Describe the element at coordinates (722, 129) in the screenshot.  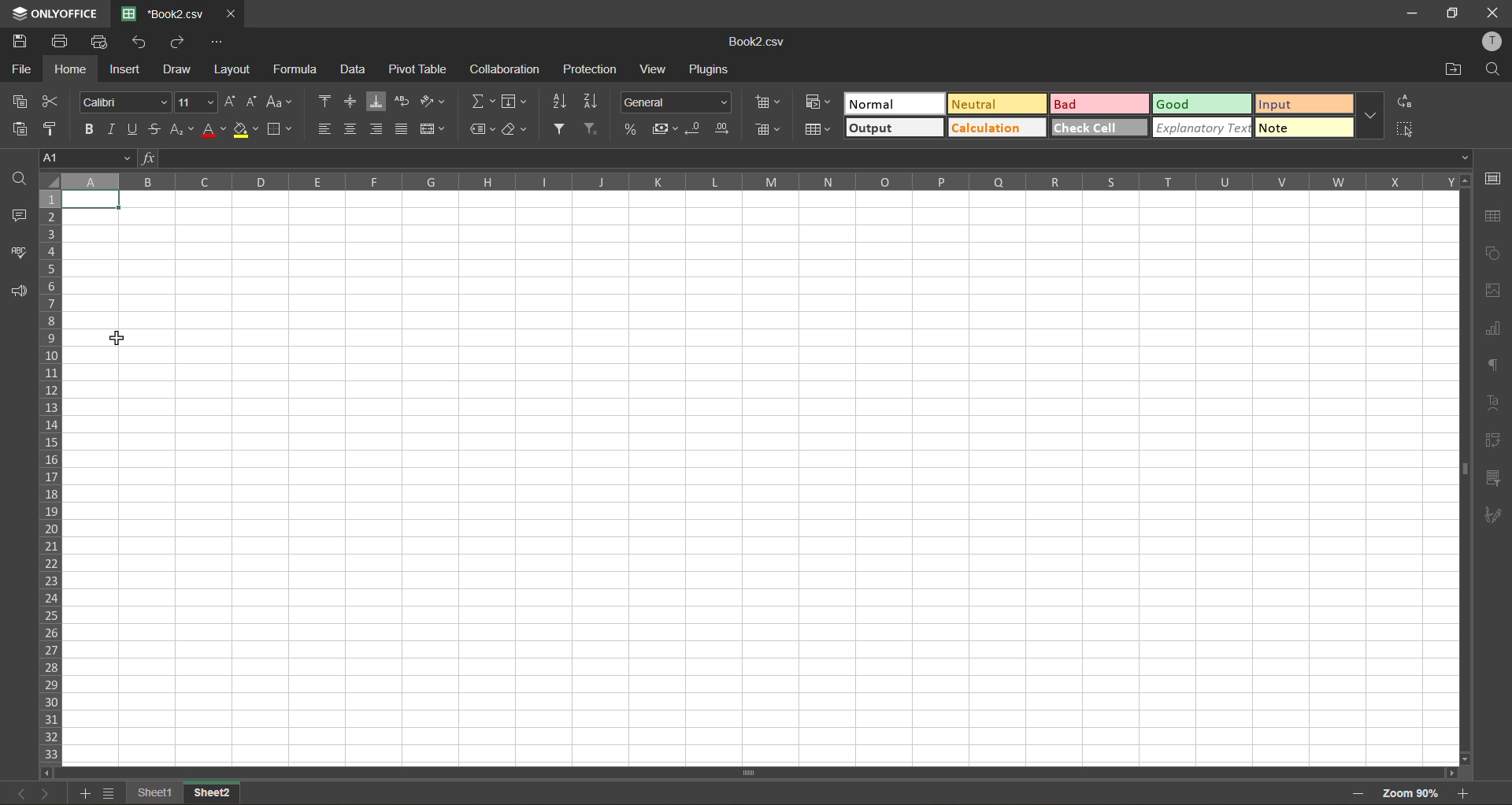
I see `increase decimal` at that location.